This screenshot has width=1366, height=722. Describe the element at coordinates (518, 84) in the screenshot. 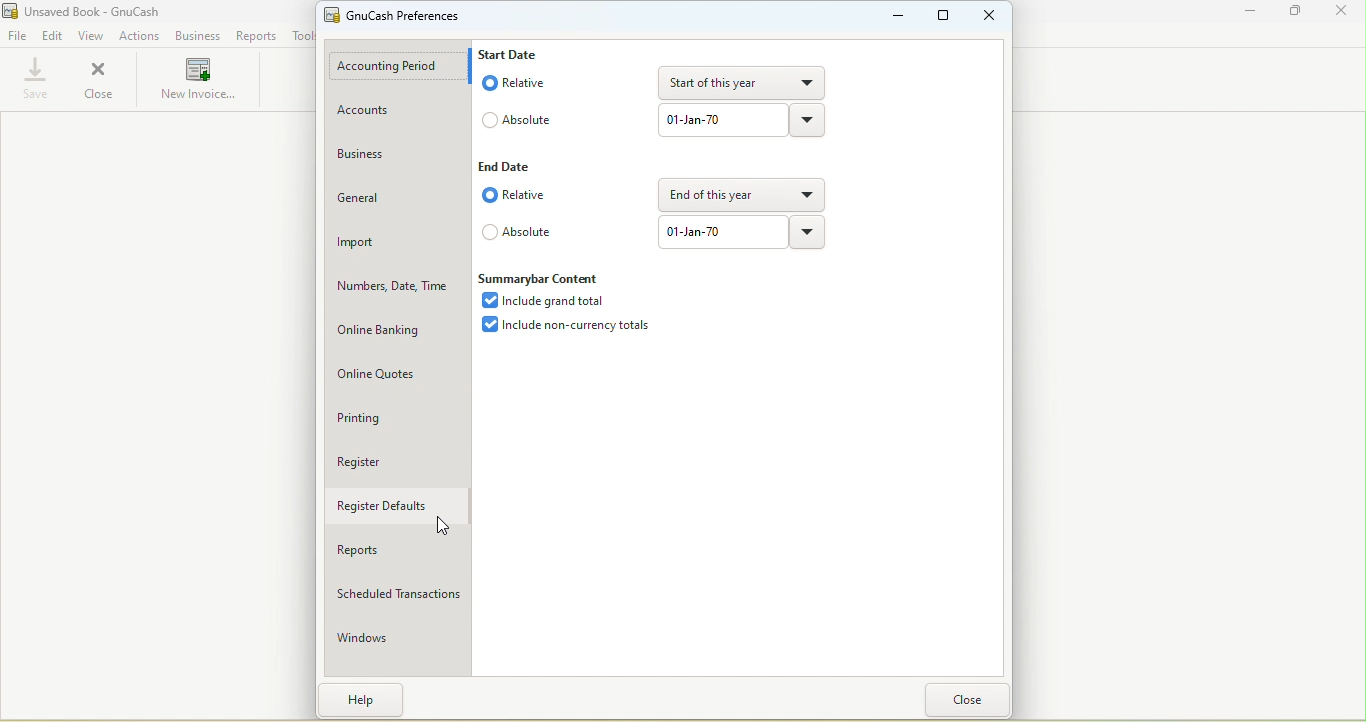

I see `Relative ` at that location.